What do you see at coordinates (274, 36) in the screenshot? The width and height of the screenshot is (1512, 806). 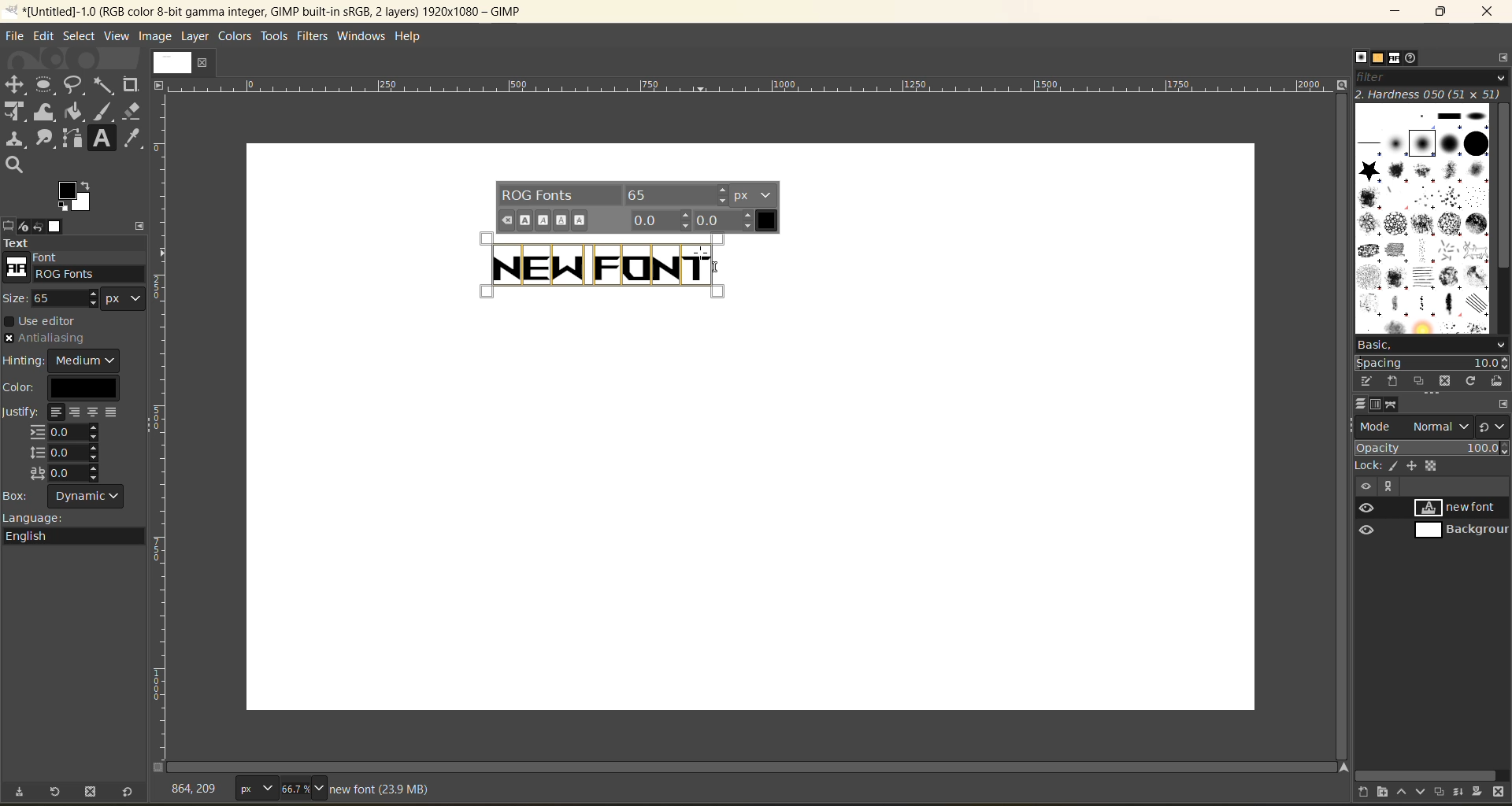 I see `tools` at bounding box center [274, 36].